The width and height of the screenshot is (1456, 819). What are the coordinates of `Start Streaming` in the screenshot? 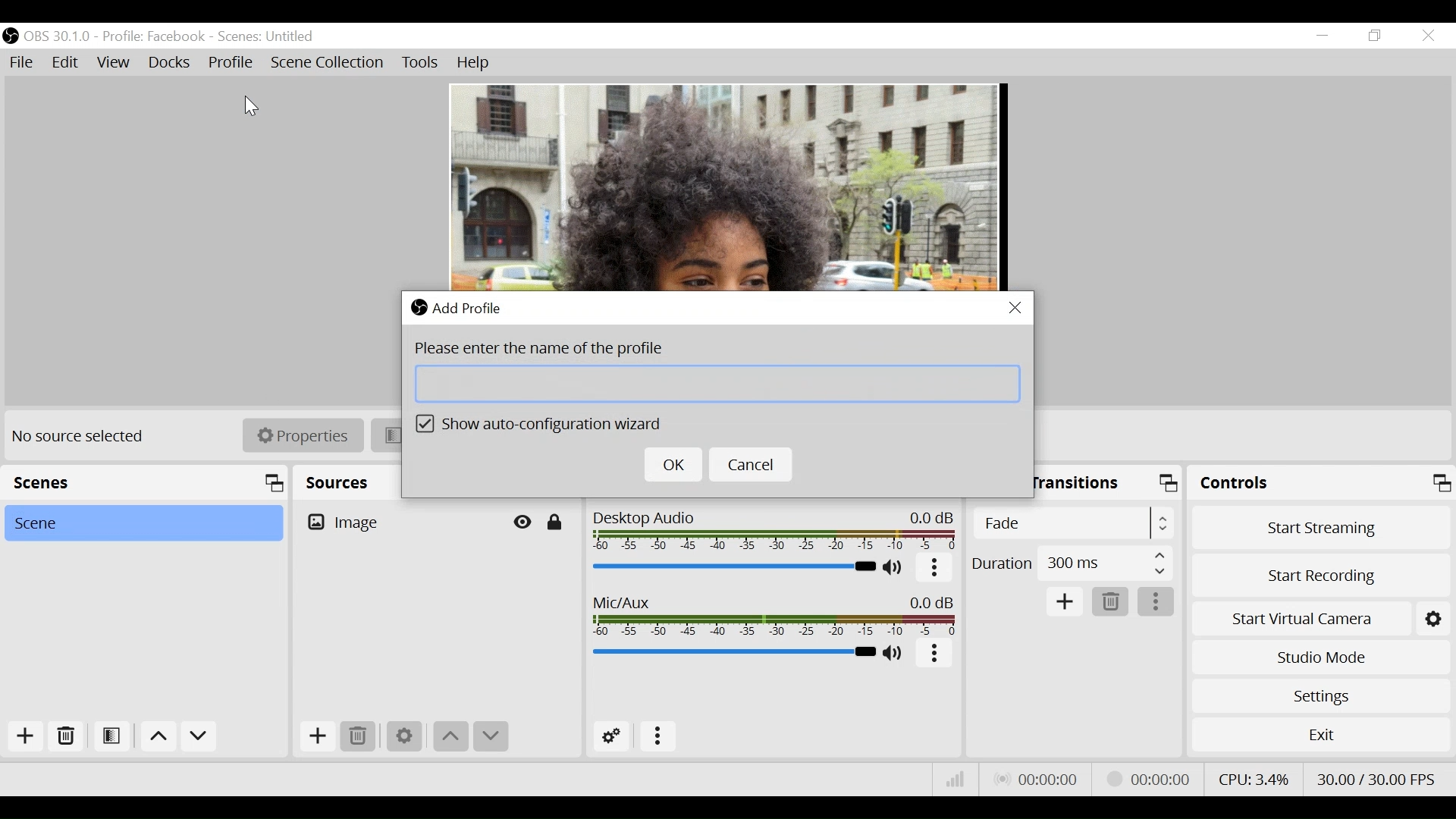 It's located at (1321, 526).